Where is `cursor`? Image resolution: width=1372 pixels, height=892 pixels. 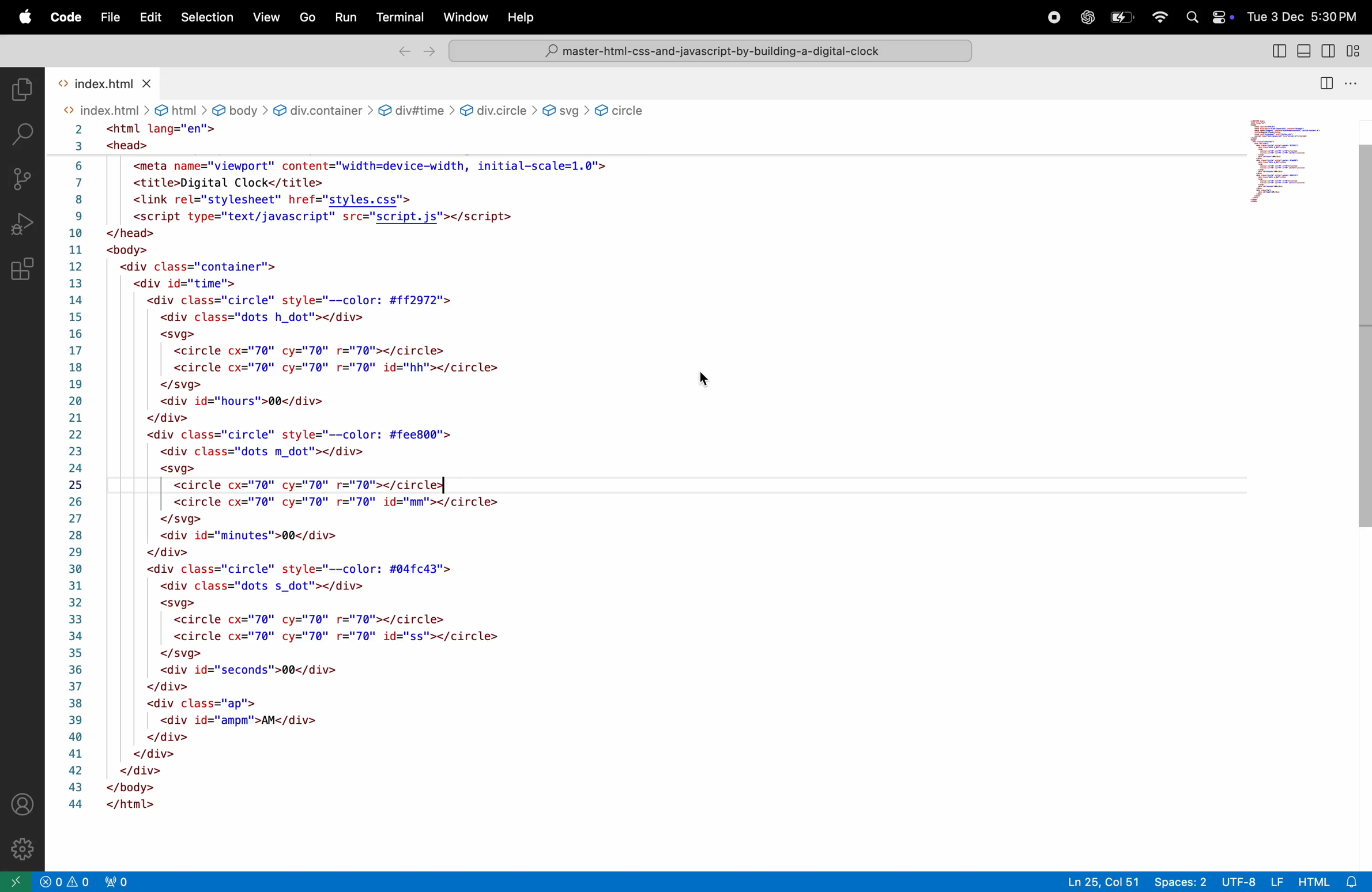 cursor is located at coordinates (706, 375).